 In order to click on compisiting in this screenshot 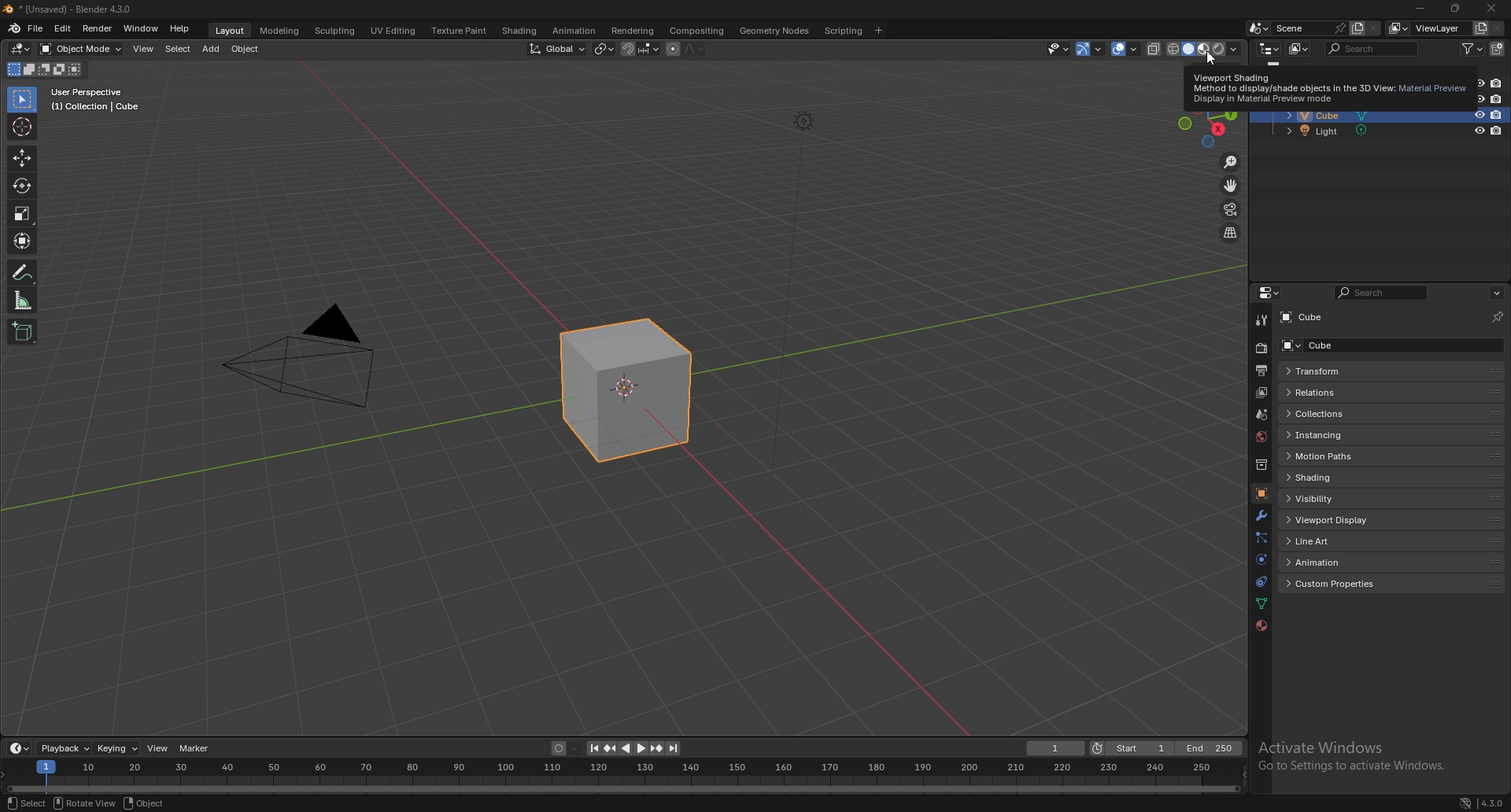, I will do `click(696, 31)`.